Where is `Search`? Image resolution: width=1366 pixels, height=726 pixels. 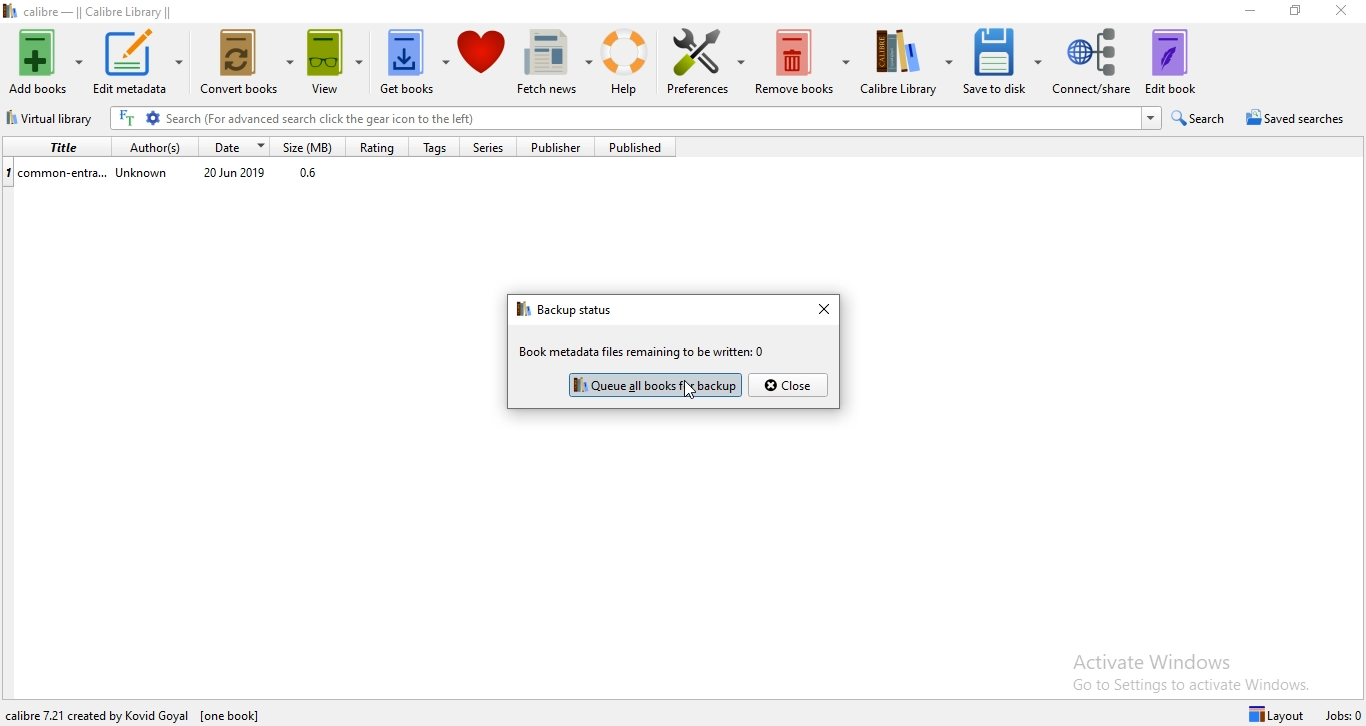
Search is located at coordinates (1203, 118).